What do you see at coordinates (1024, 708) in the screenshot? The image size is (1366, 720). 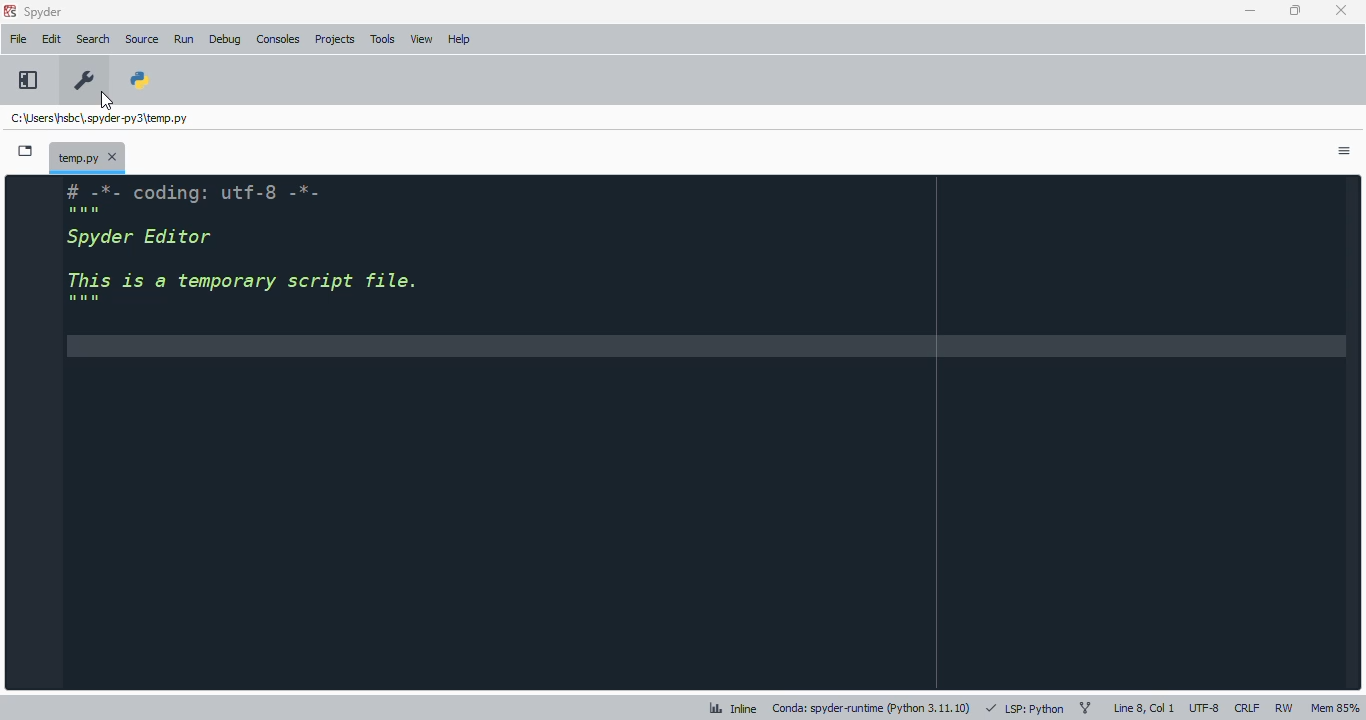 I see `LSP: Python` at bounding box center [1024, 708].